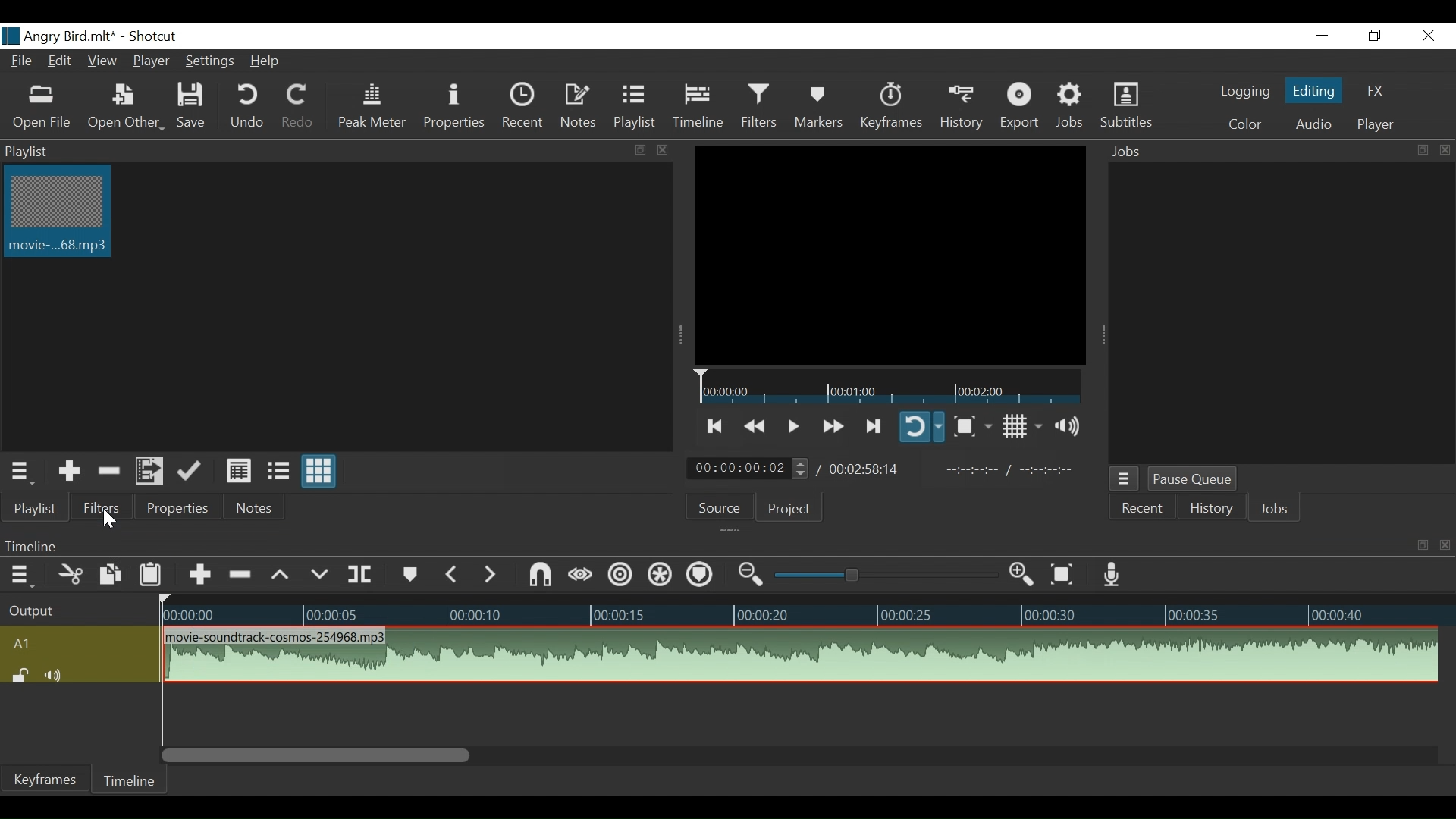  Describe the element at coordinates (1442, 149) in the screenshot. I see `close` at that location.